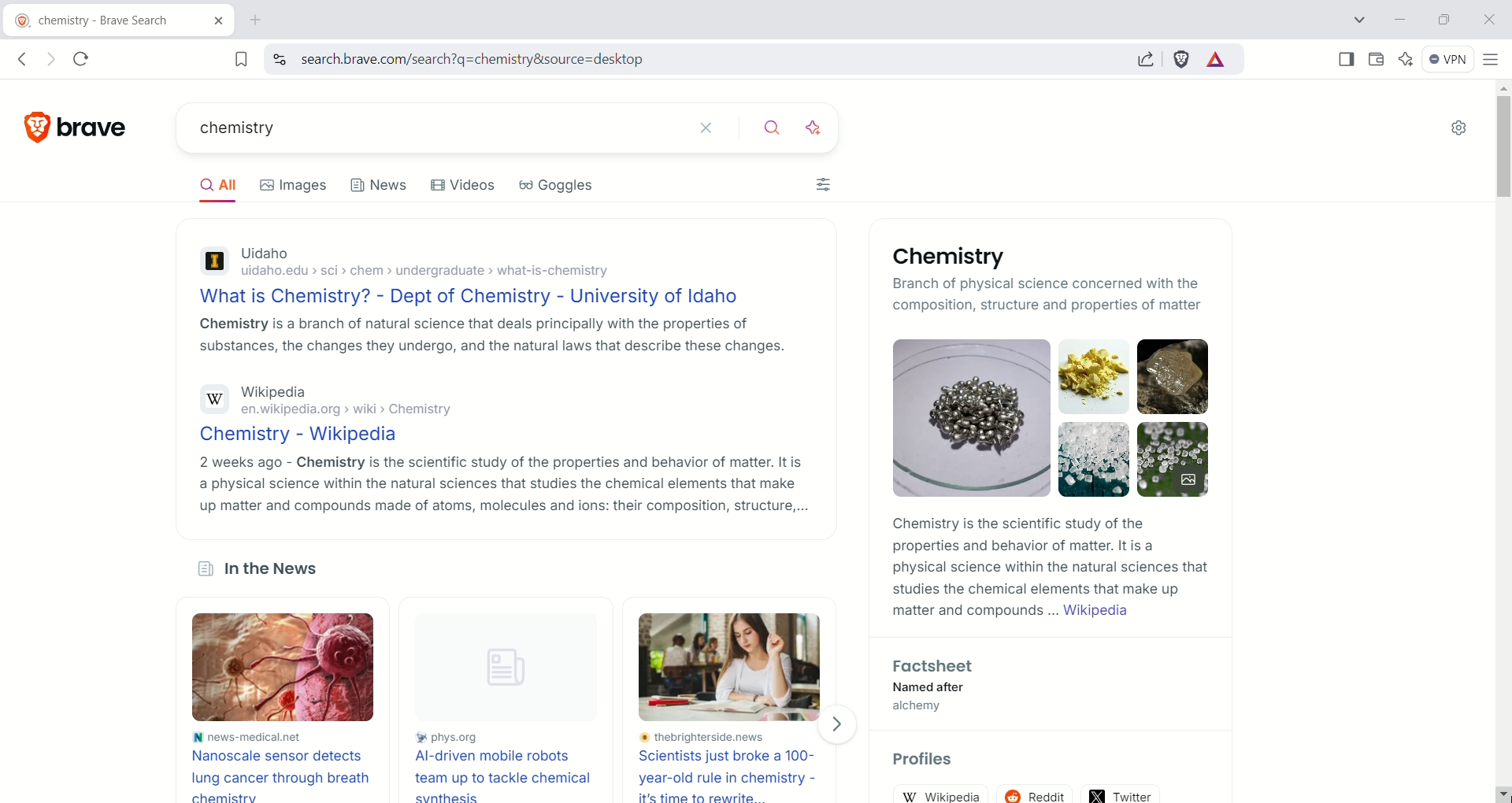 The height and width of the screenshot is (803, 1512). Describe the element at coordinates (1496, 792) in the screenshot. I see `cursor` at that location.